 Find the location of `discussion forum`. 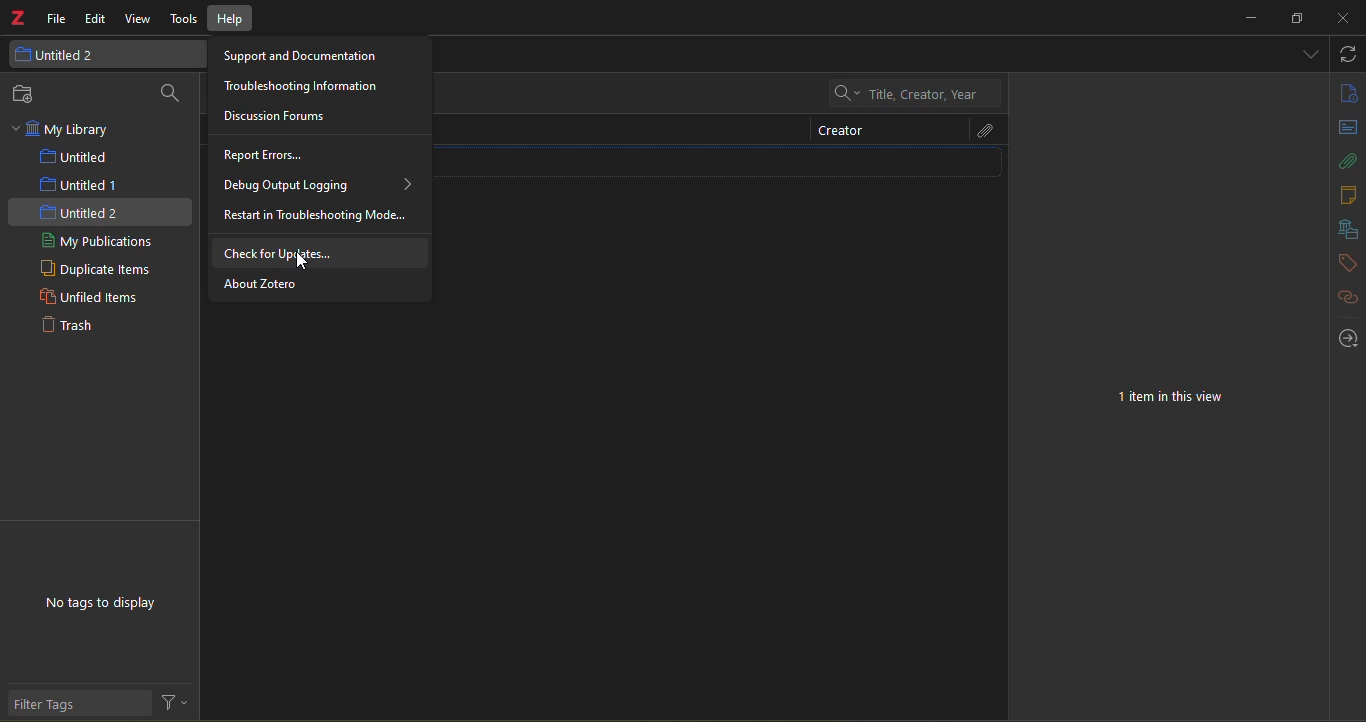

discussion forum is located at coordinates (282, 114).